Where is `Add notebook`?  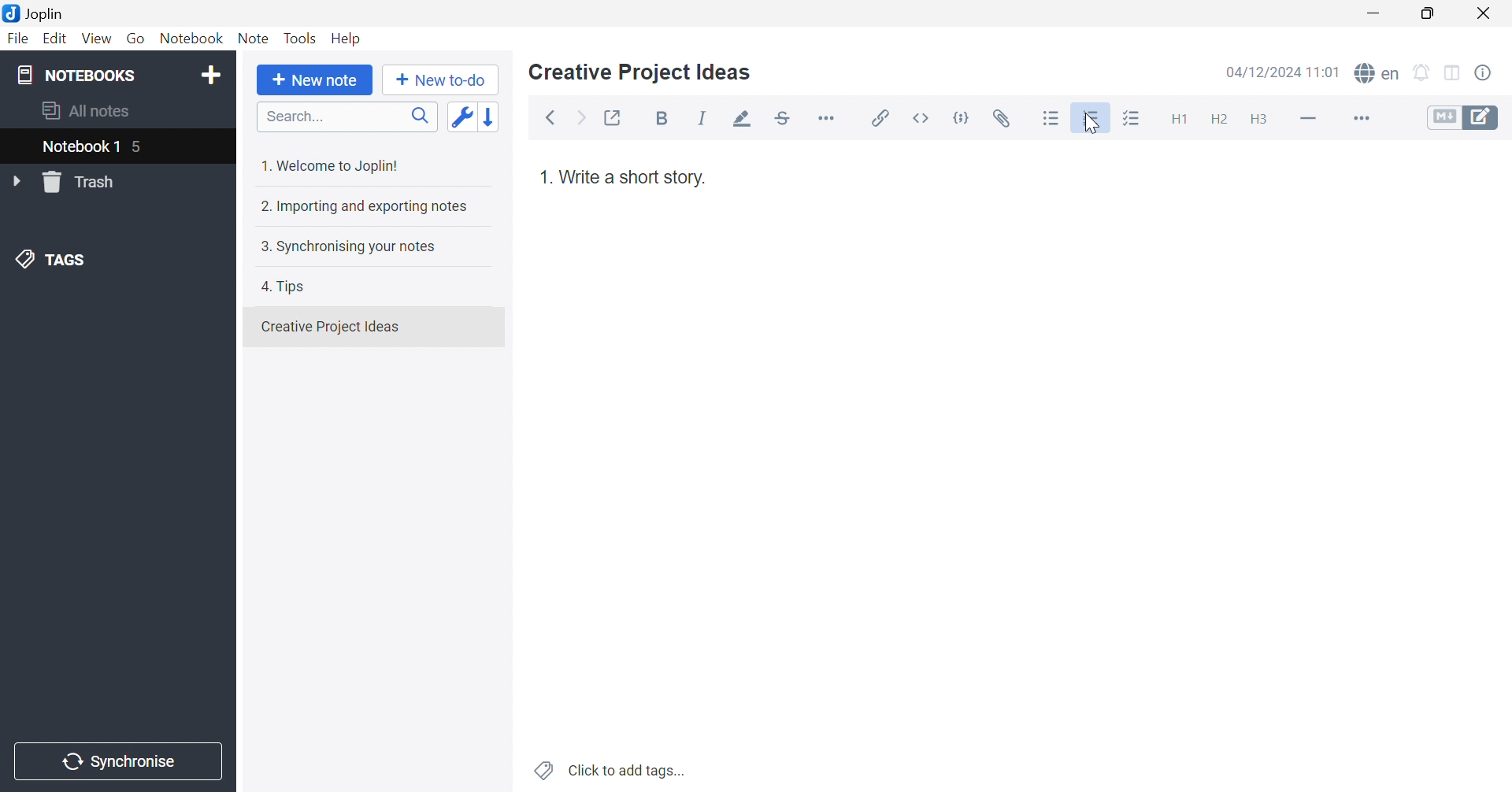
Add notebook is located at coordinates (211, 73).